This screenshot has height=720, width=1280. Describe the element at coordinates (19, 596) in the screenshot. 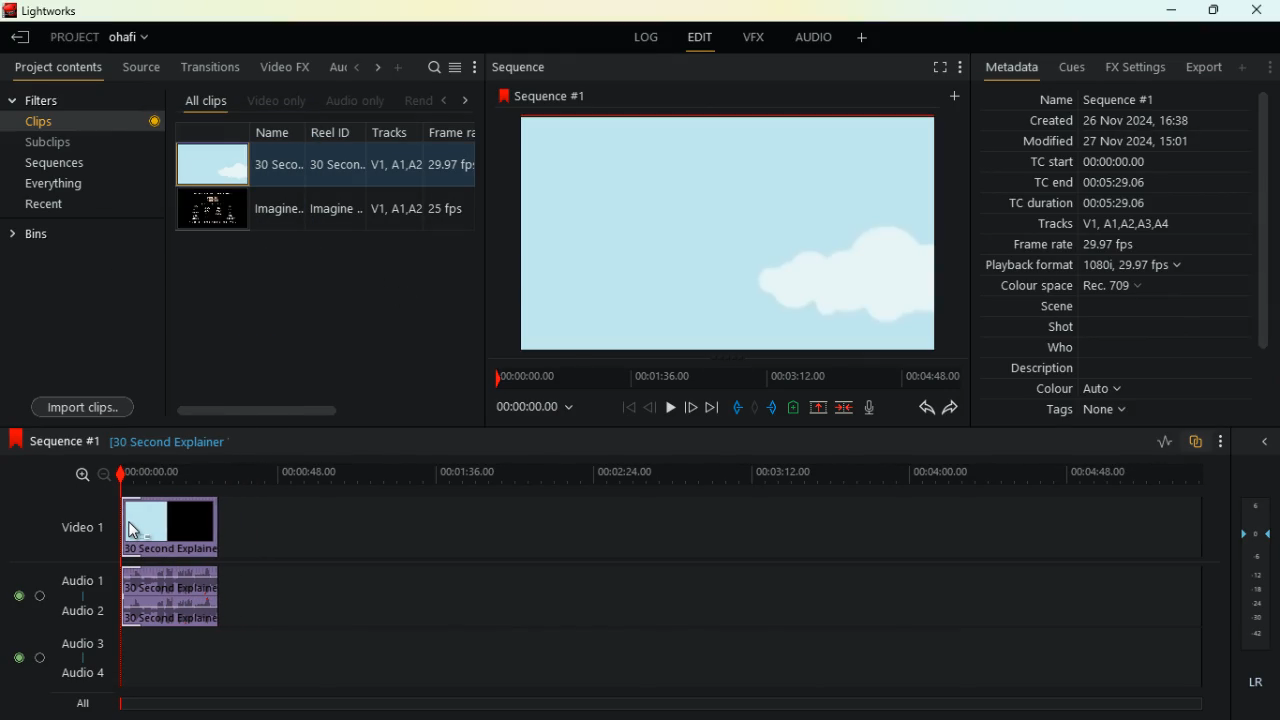

I see `toggle` at that location.